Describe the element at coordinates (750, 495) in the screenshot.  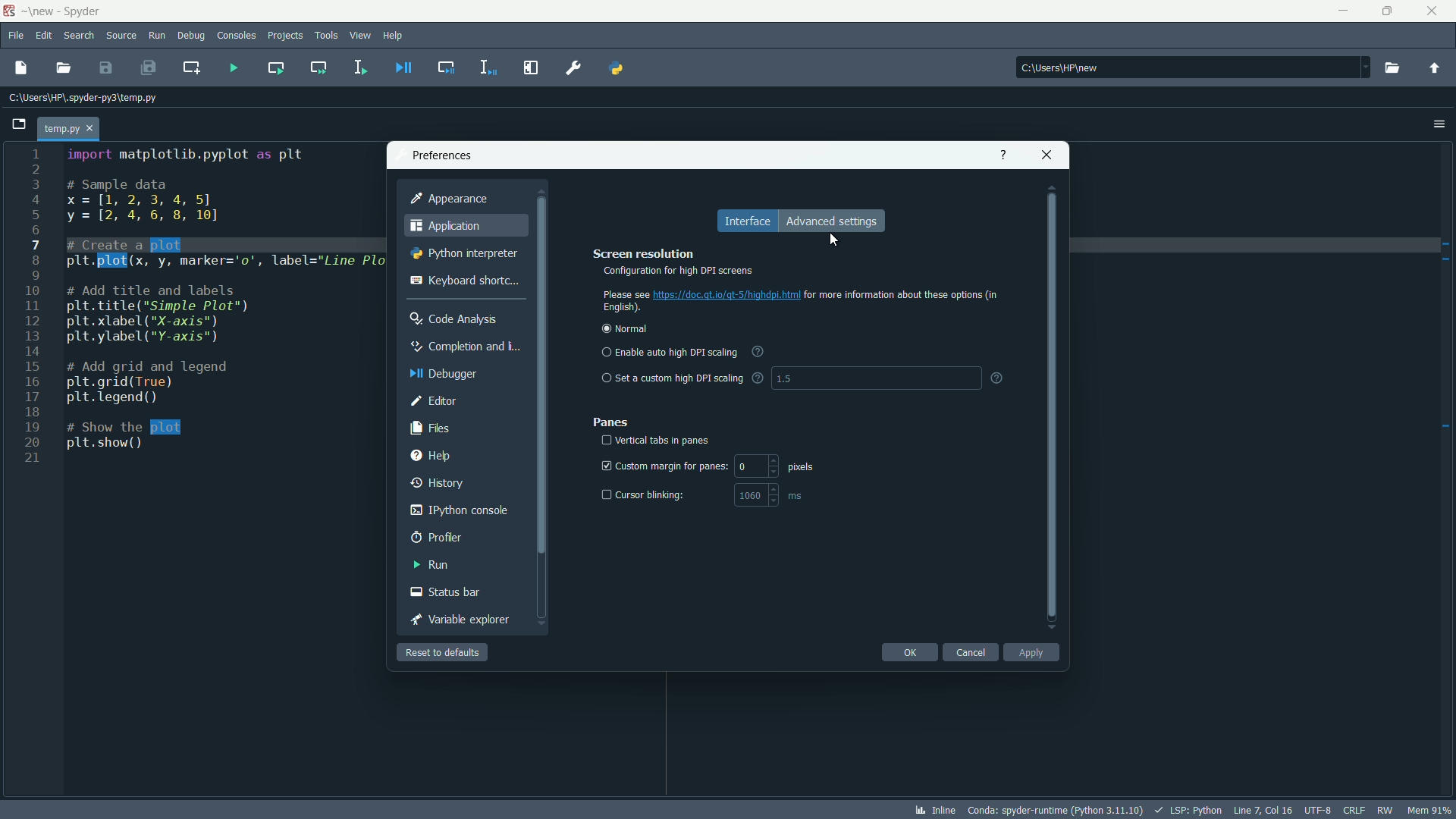
I see `1060` at that location.